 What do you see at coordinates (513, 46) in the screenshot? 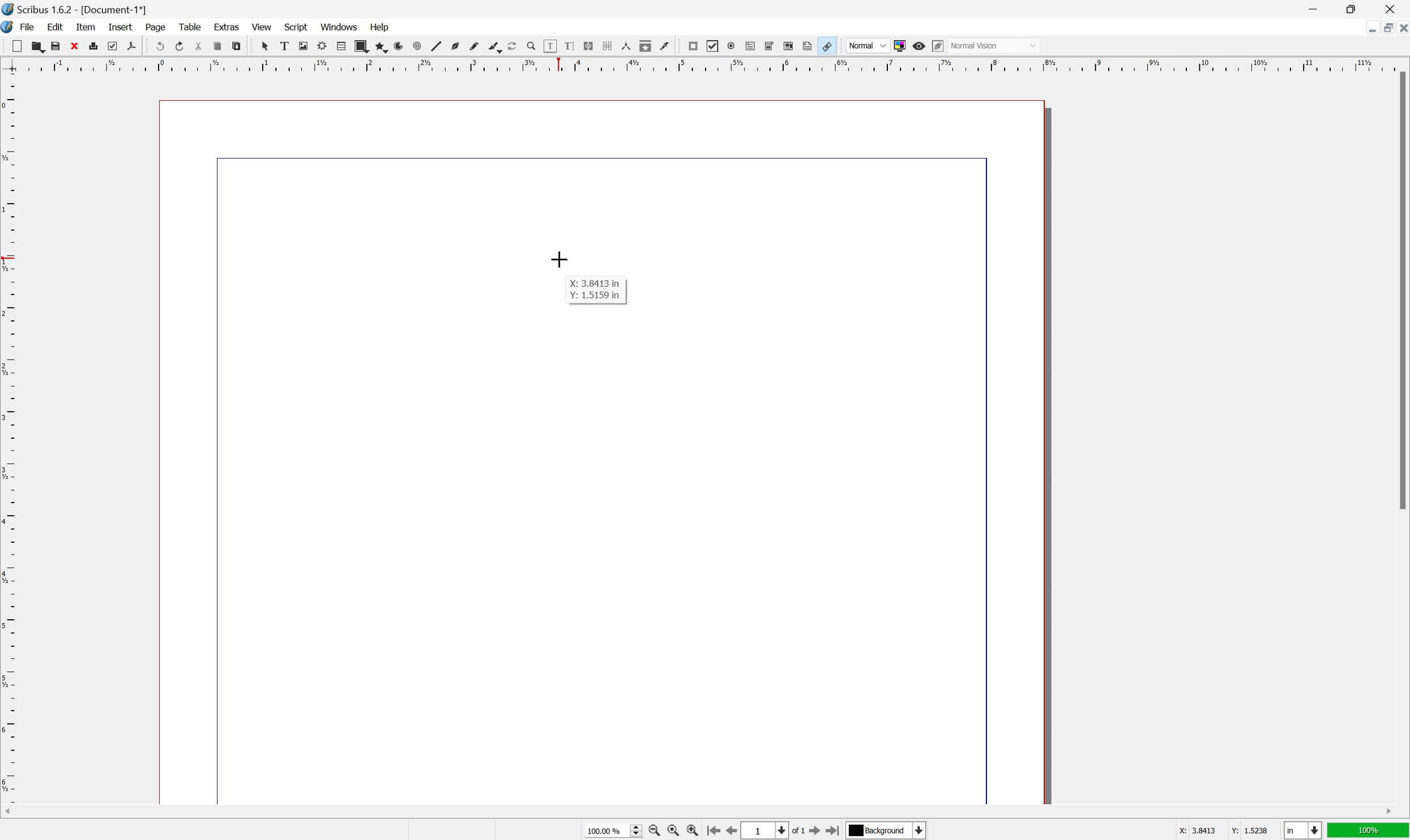
I see `rotate item` at bounding box center [513, 46].